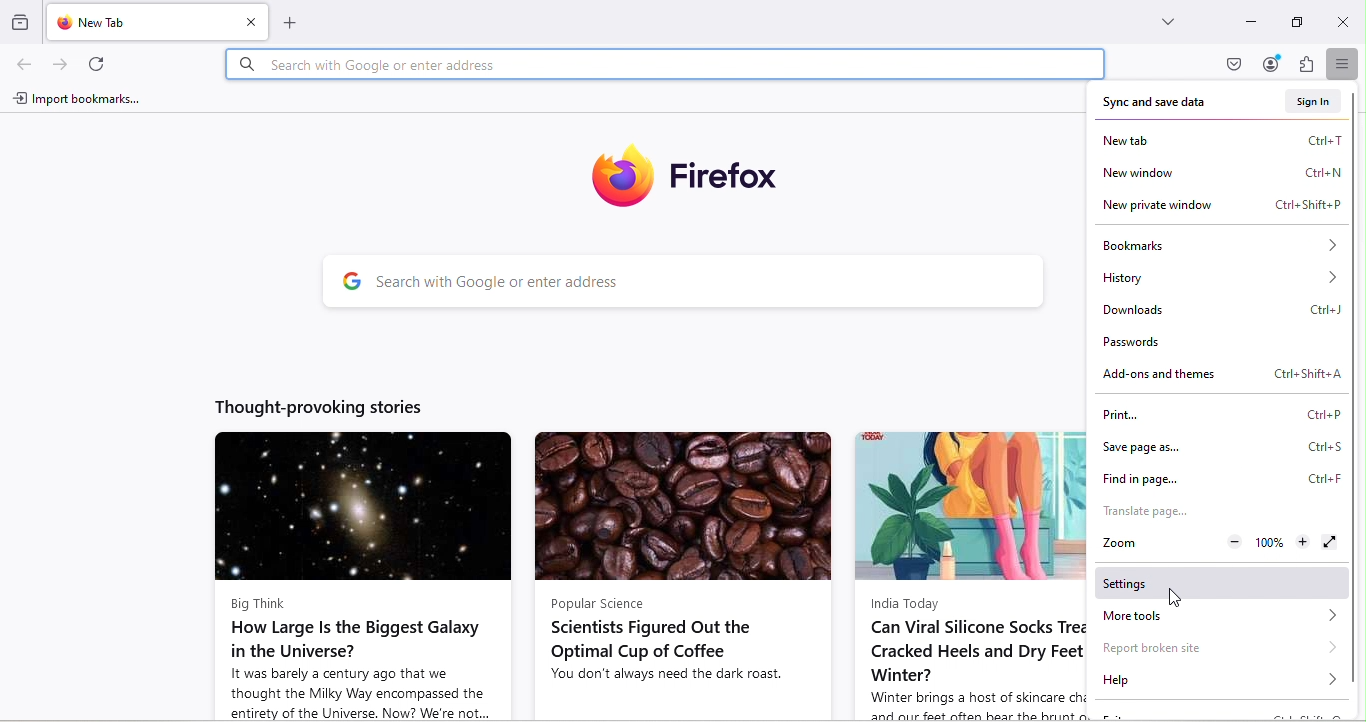 This screenshot has height=722, width=1366. Describe the element at coordinates (1221, 310) in the screenshot. I see `Downloads` at that location.